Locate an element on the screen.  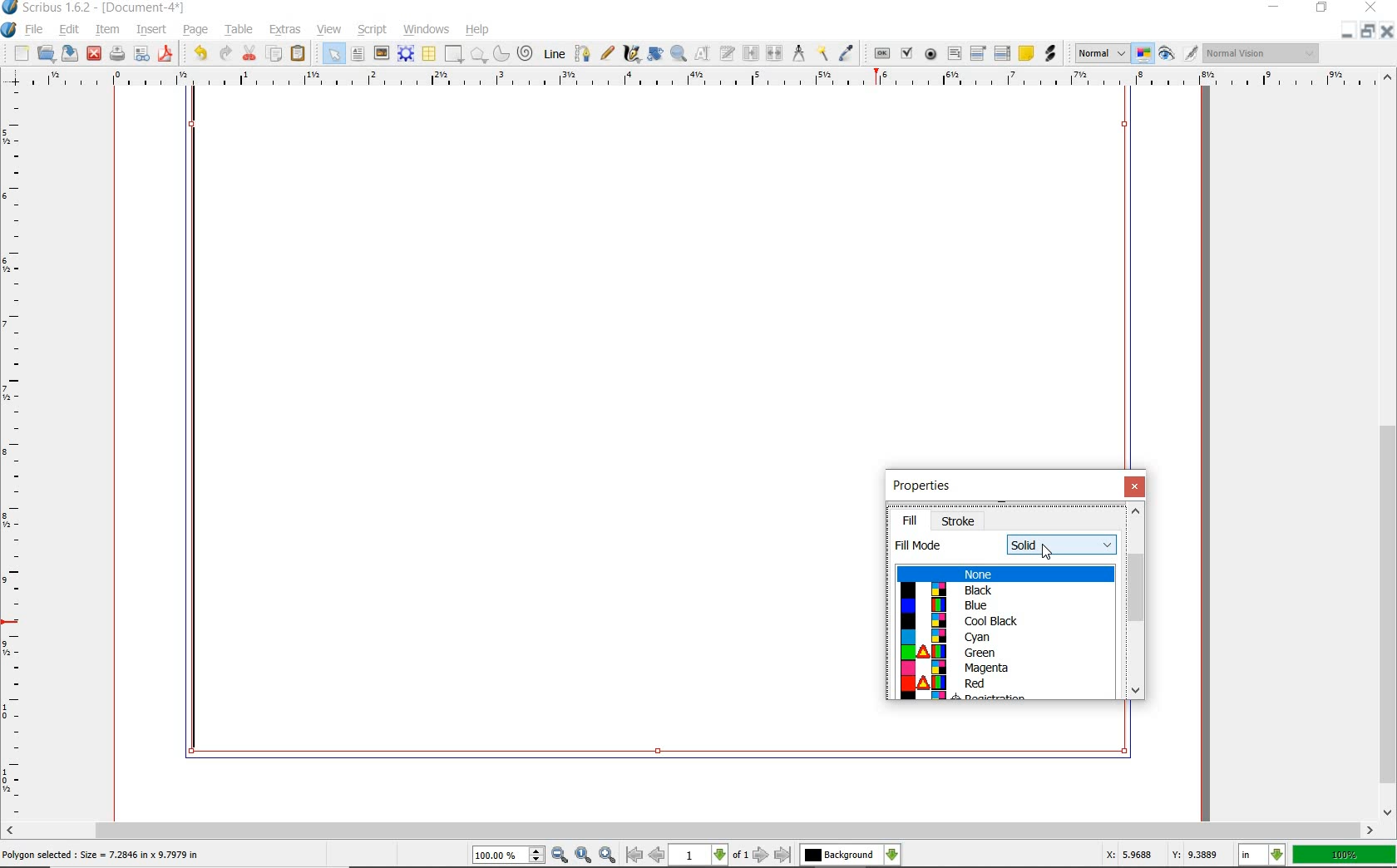
shape is located at coordinates (454, 55).